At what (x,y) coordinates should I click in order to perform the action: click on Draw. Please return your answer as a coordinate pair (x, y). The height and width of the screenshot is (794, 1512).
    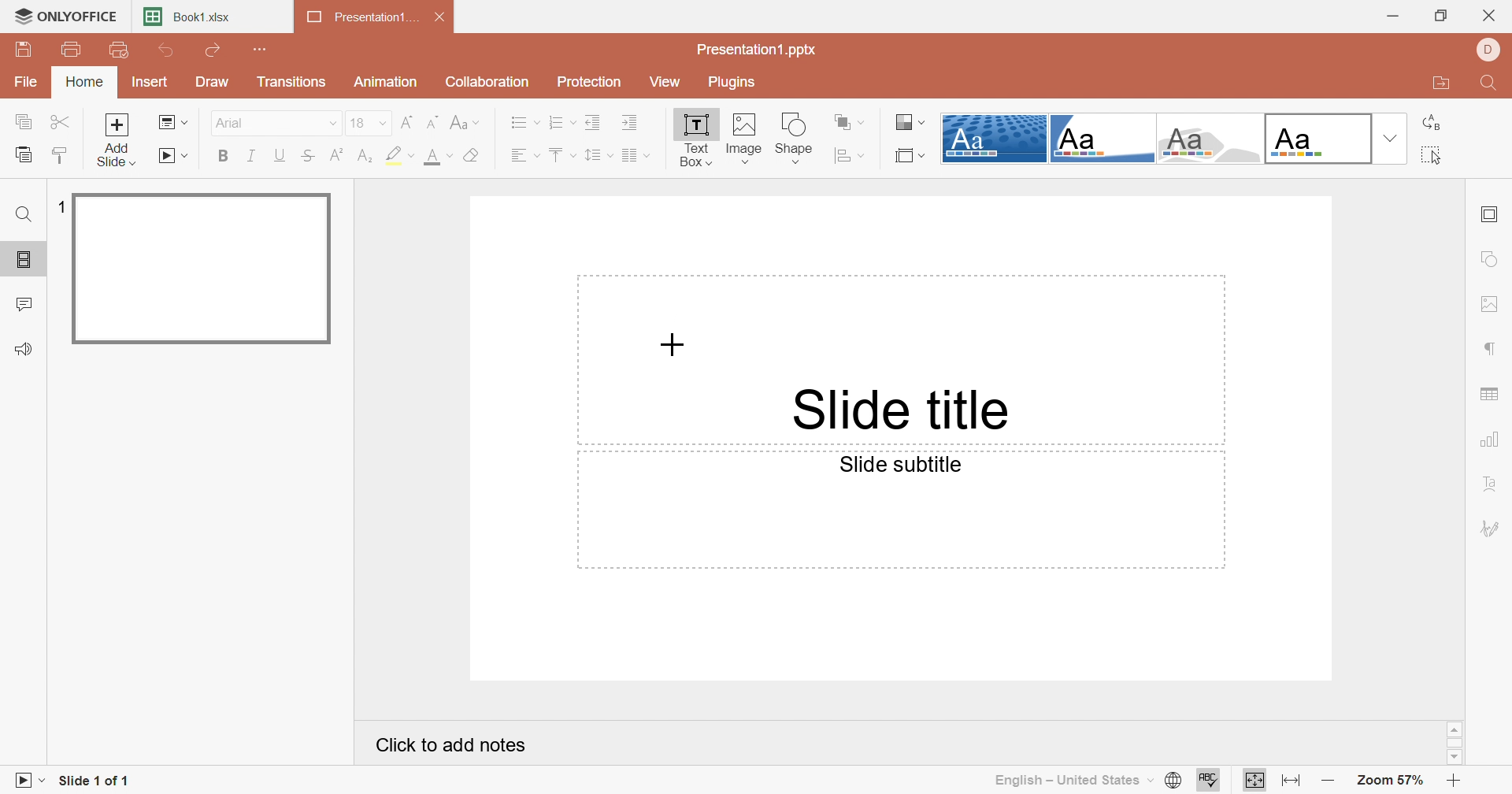
    Looking at the image, I should click on (215, 82).